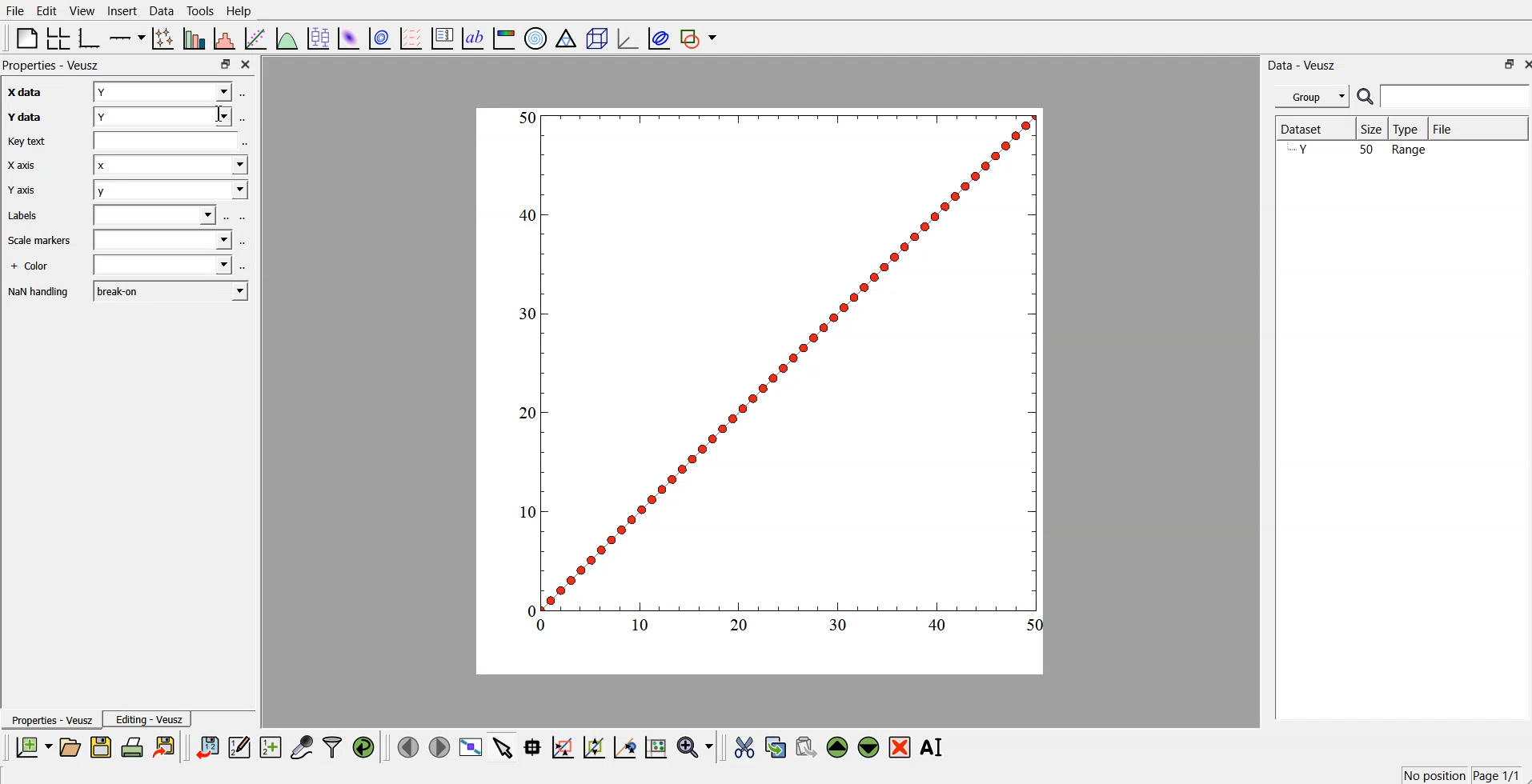 The image size is (1532, 784). What do you see at coordinates (503, 37) in the screenshot?
I see `image color bar` at bounding box center [503, 37].